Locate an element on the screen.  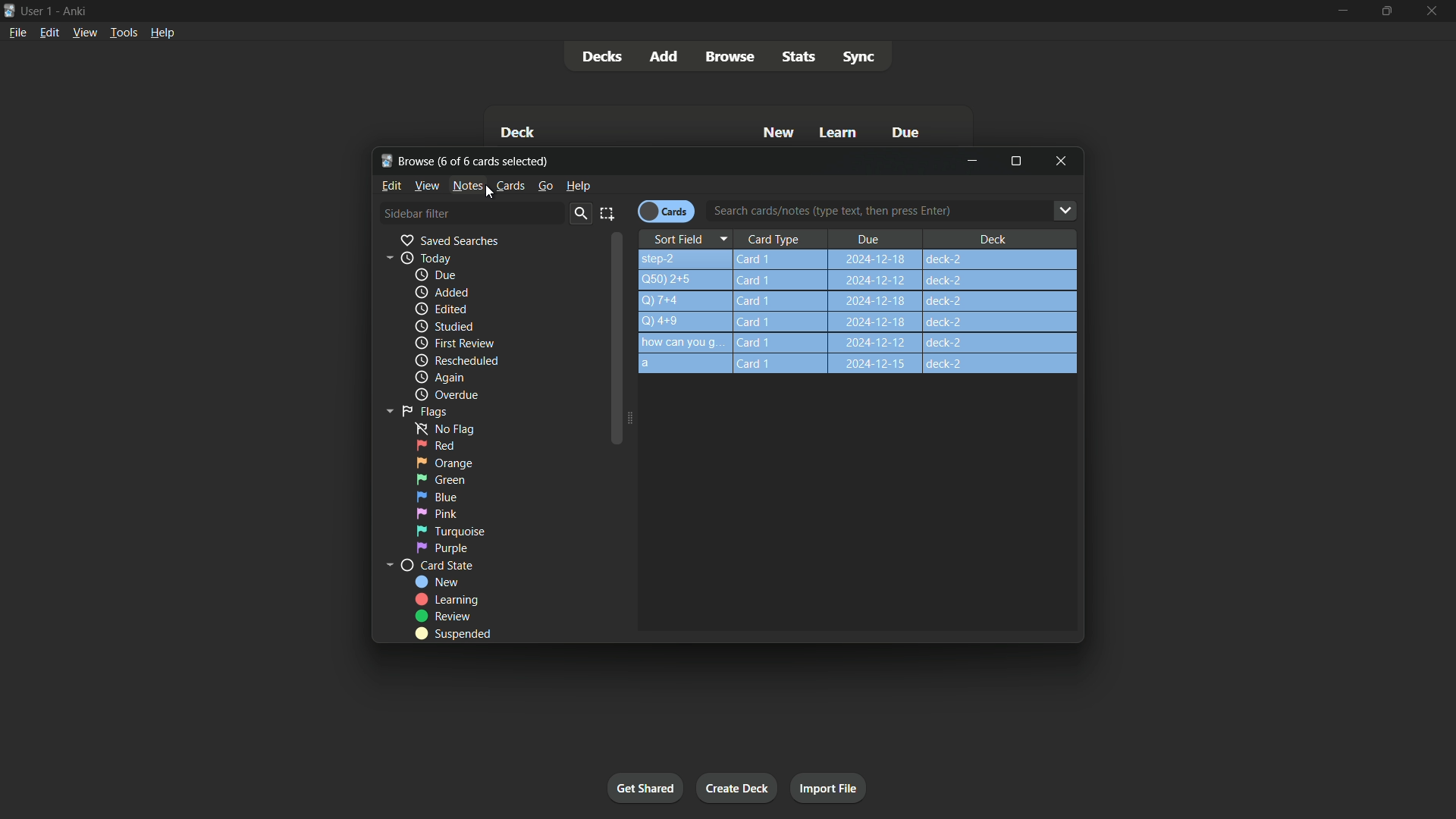
new is located at coordinates (438, 582).